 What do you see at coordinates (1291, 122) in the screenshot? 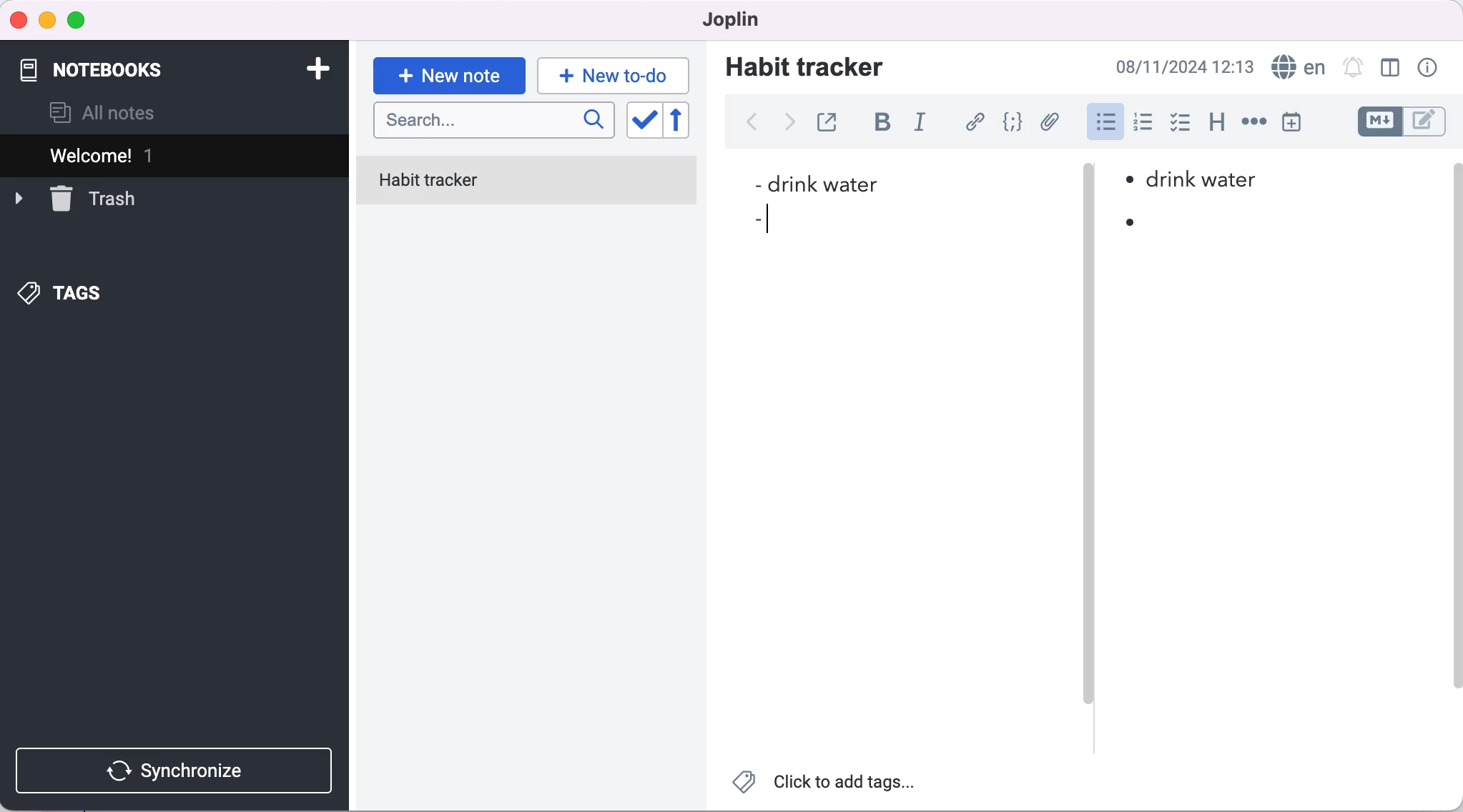
I see `insert time` at bounding box center [1291, 122].